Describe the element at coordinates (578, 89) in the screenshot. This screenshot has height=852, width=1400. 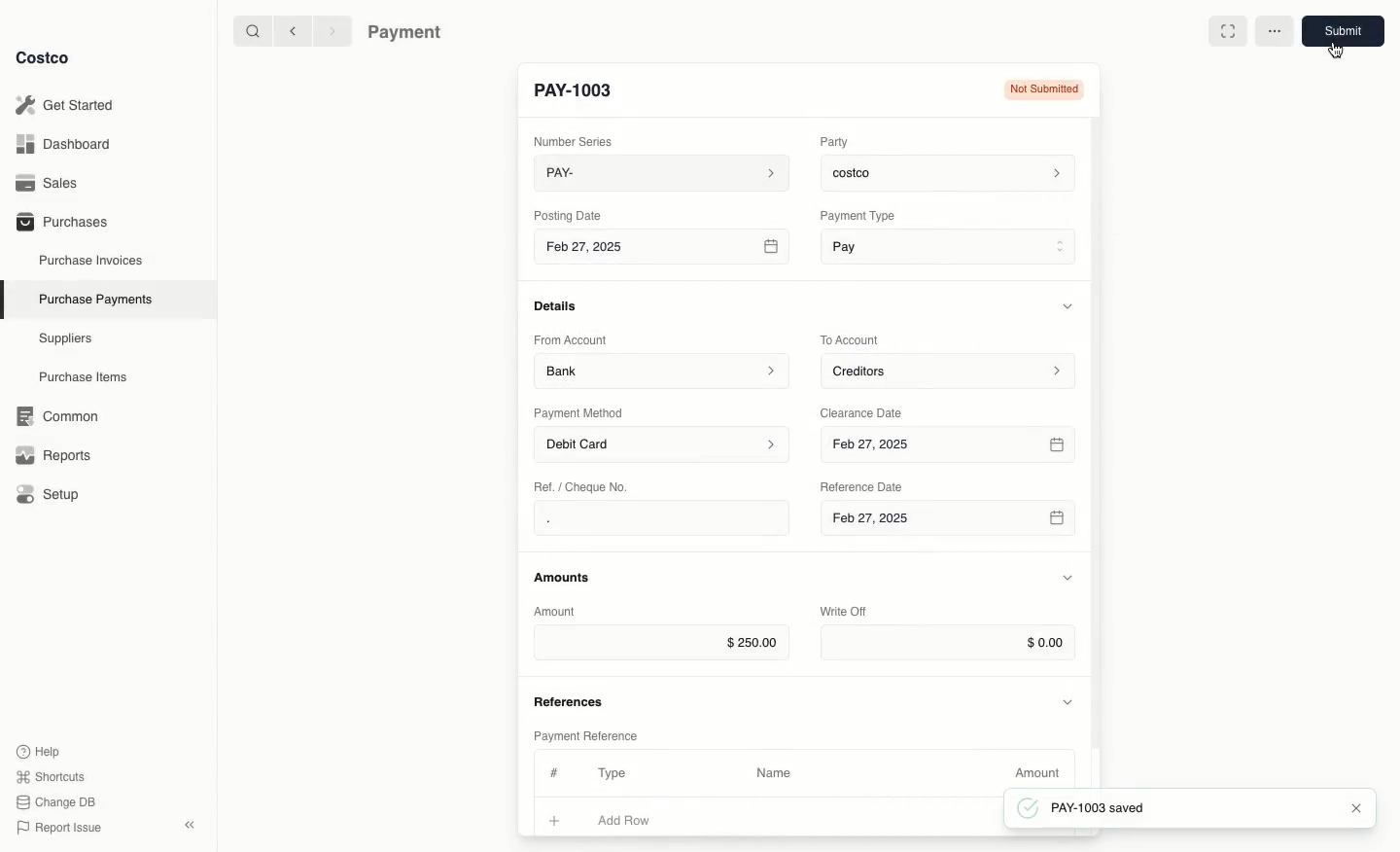
I see `New Entry` at that location.